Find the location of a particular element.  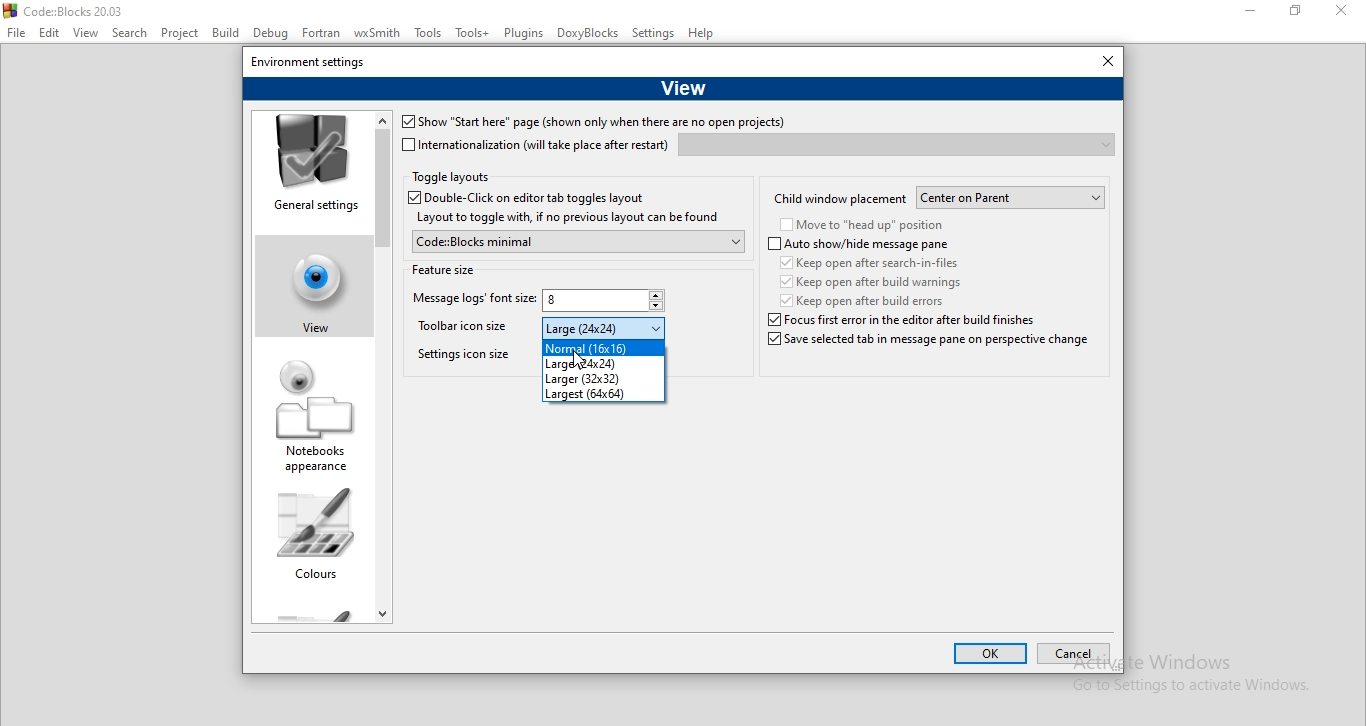

Feature size is located at coordinates (444, 268).